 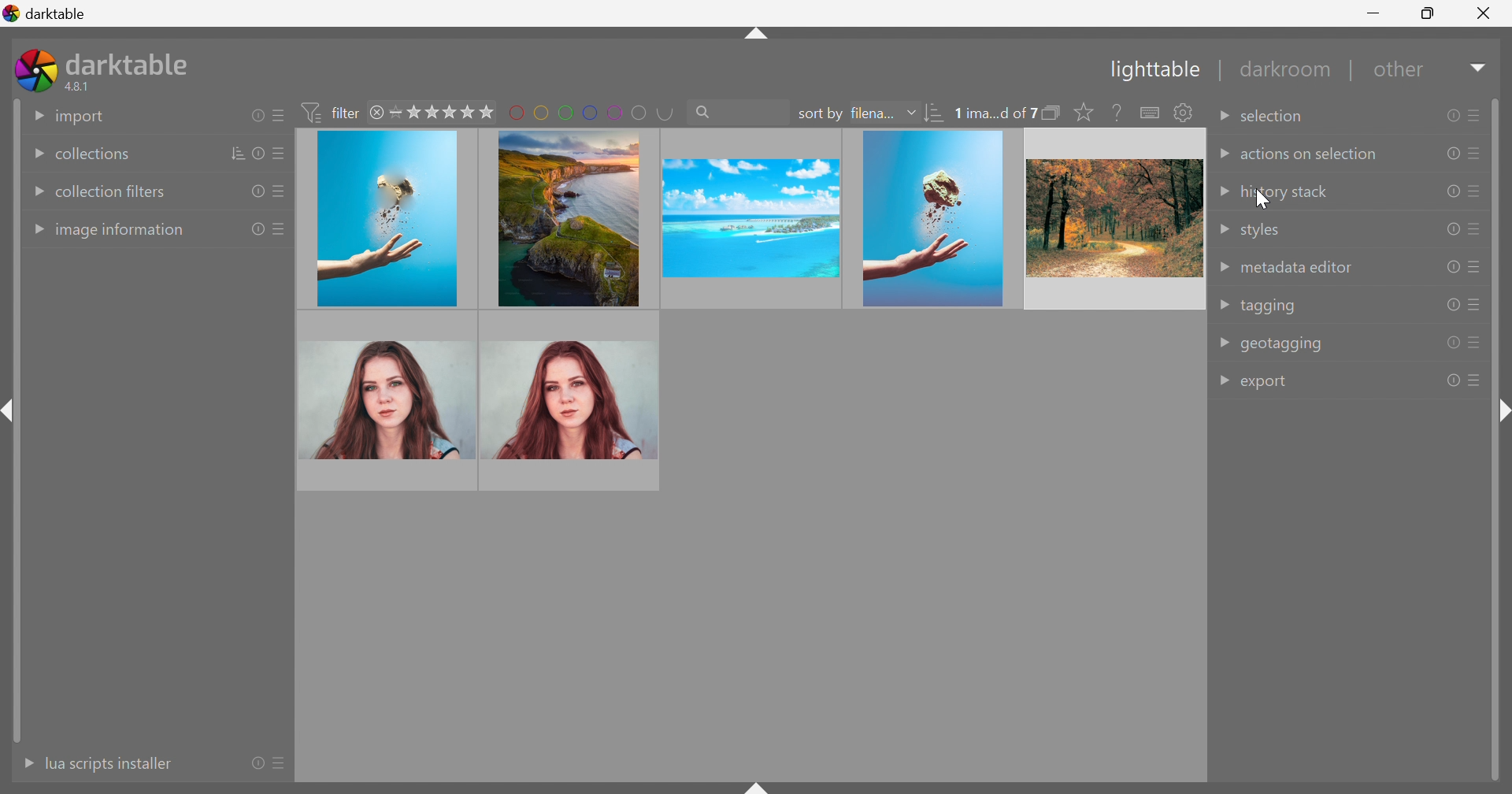 I want to click on Drop Down, so click(x=35, y=230).